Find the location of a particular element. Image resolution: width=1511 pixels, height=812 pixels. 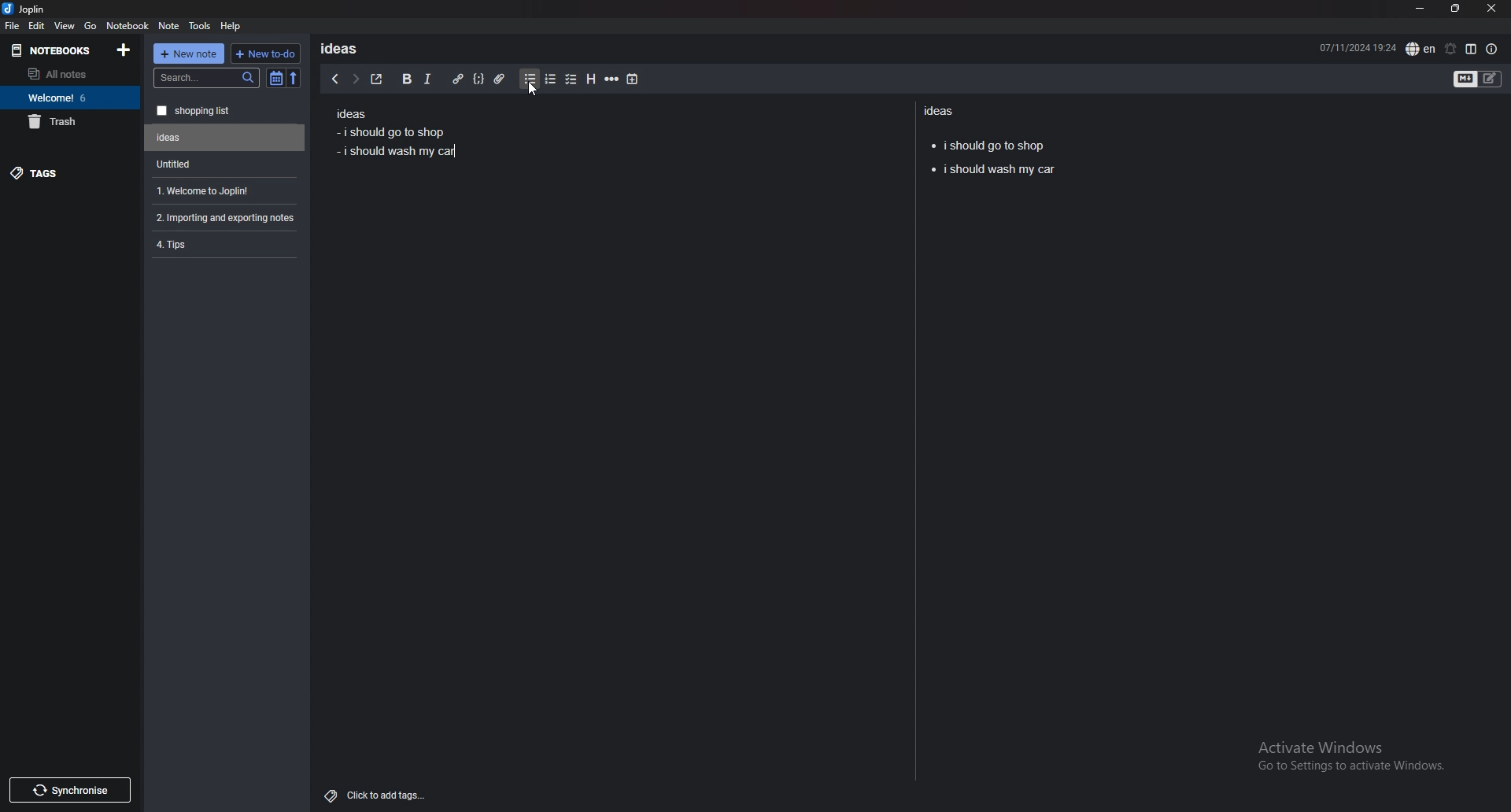

i should wash my car is located at coordinates (992, 171).